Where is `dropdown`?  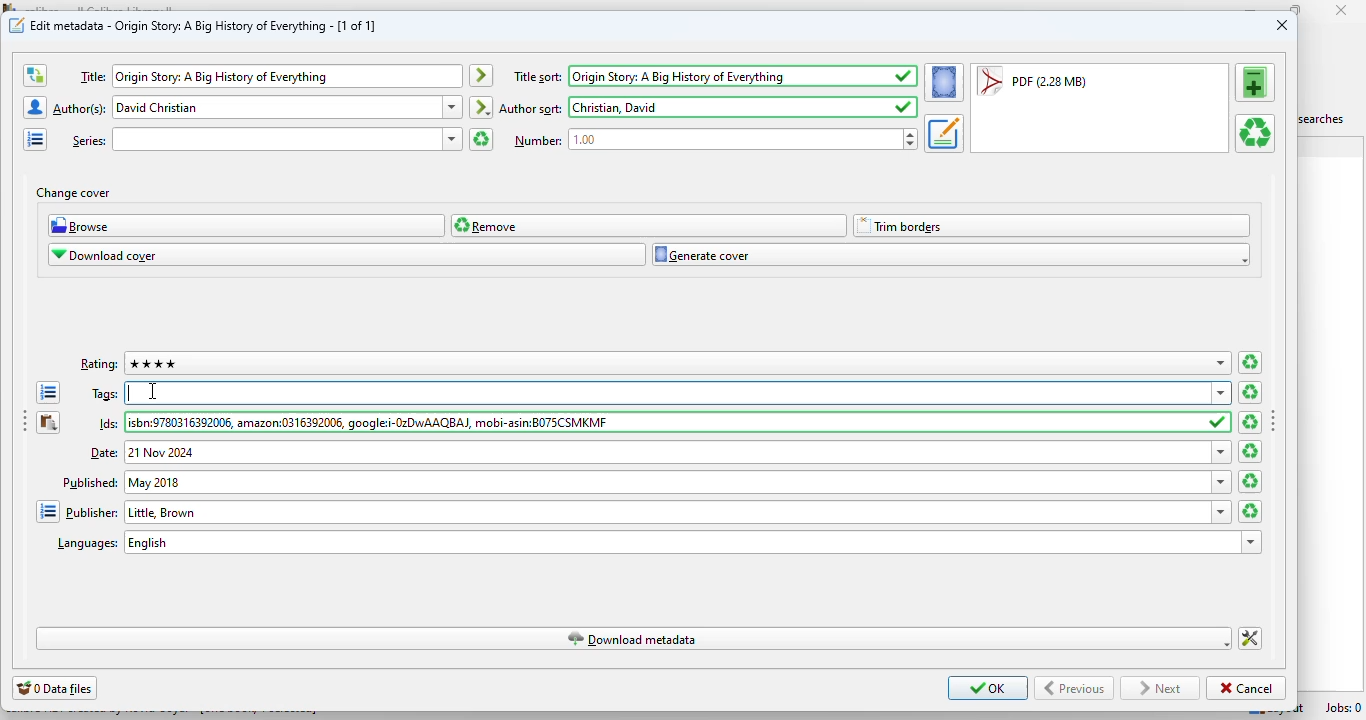 dropdown is located at coordinates (1222, 481).